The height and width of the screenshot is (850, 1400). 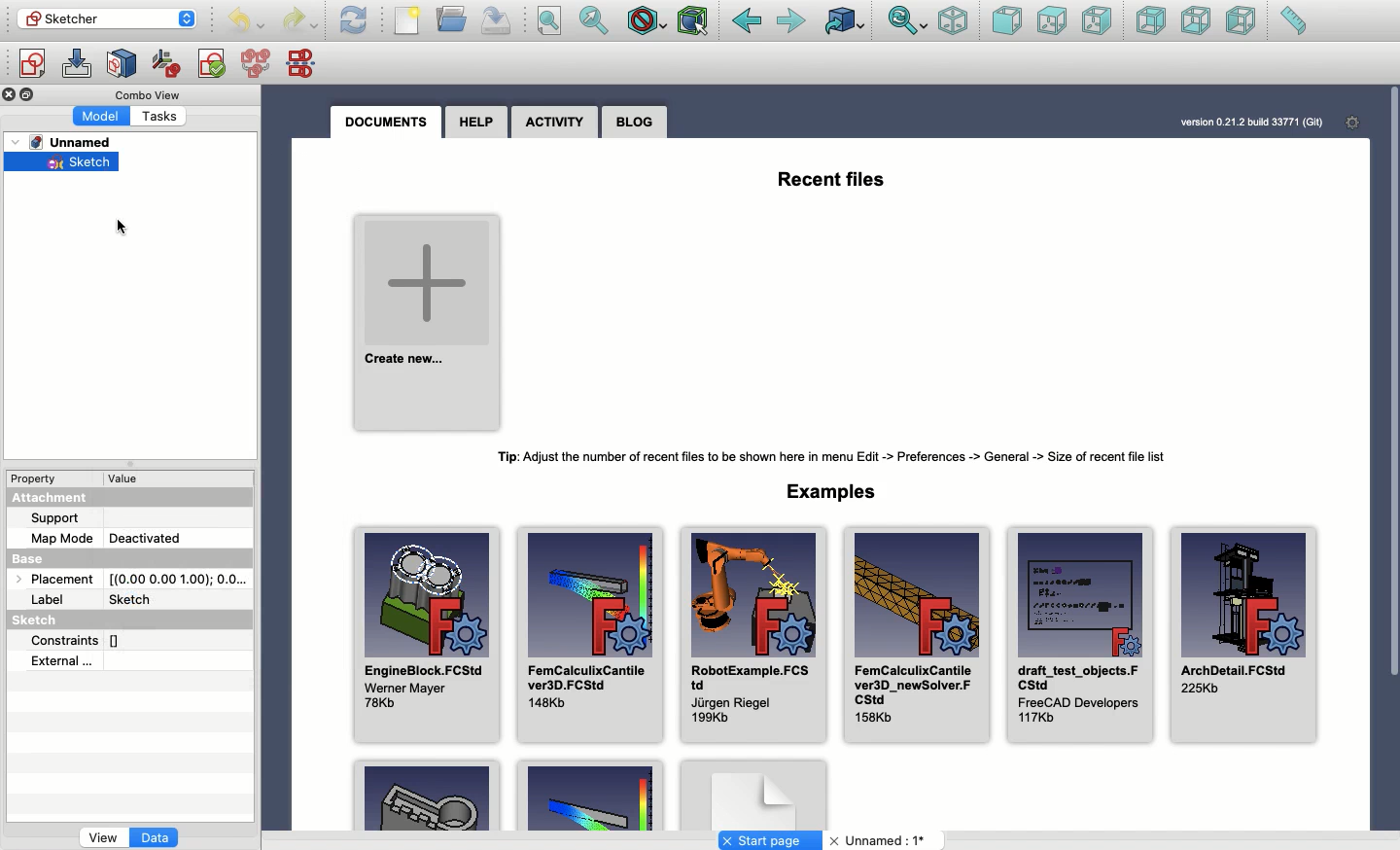 What do you see at coordinates (149, 94) in the screenshot?
I see `Combo View` at bounding box center [149, 94].